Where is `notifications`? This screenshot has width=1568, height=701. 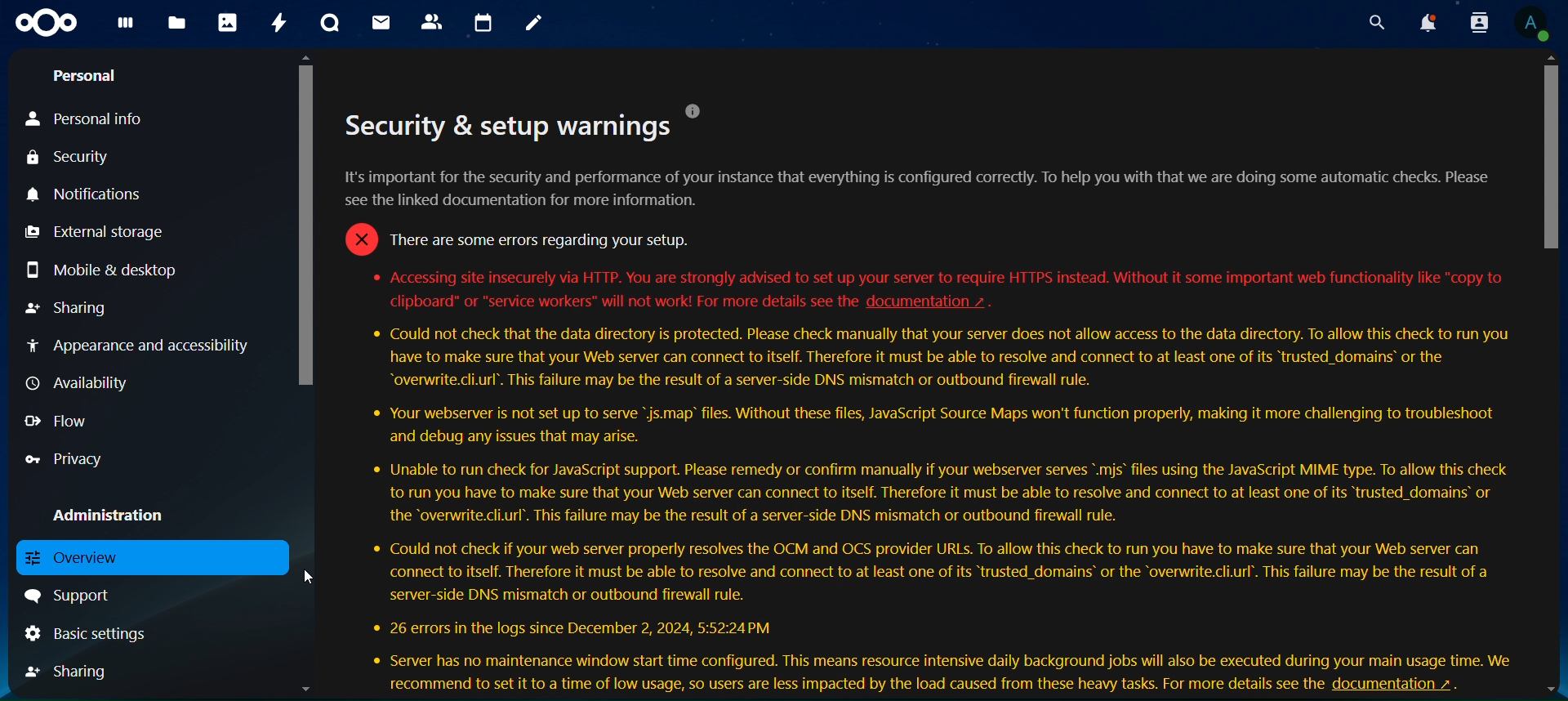
notifications is located at coordinates (1429, 22).